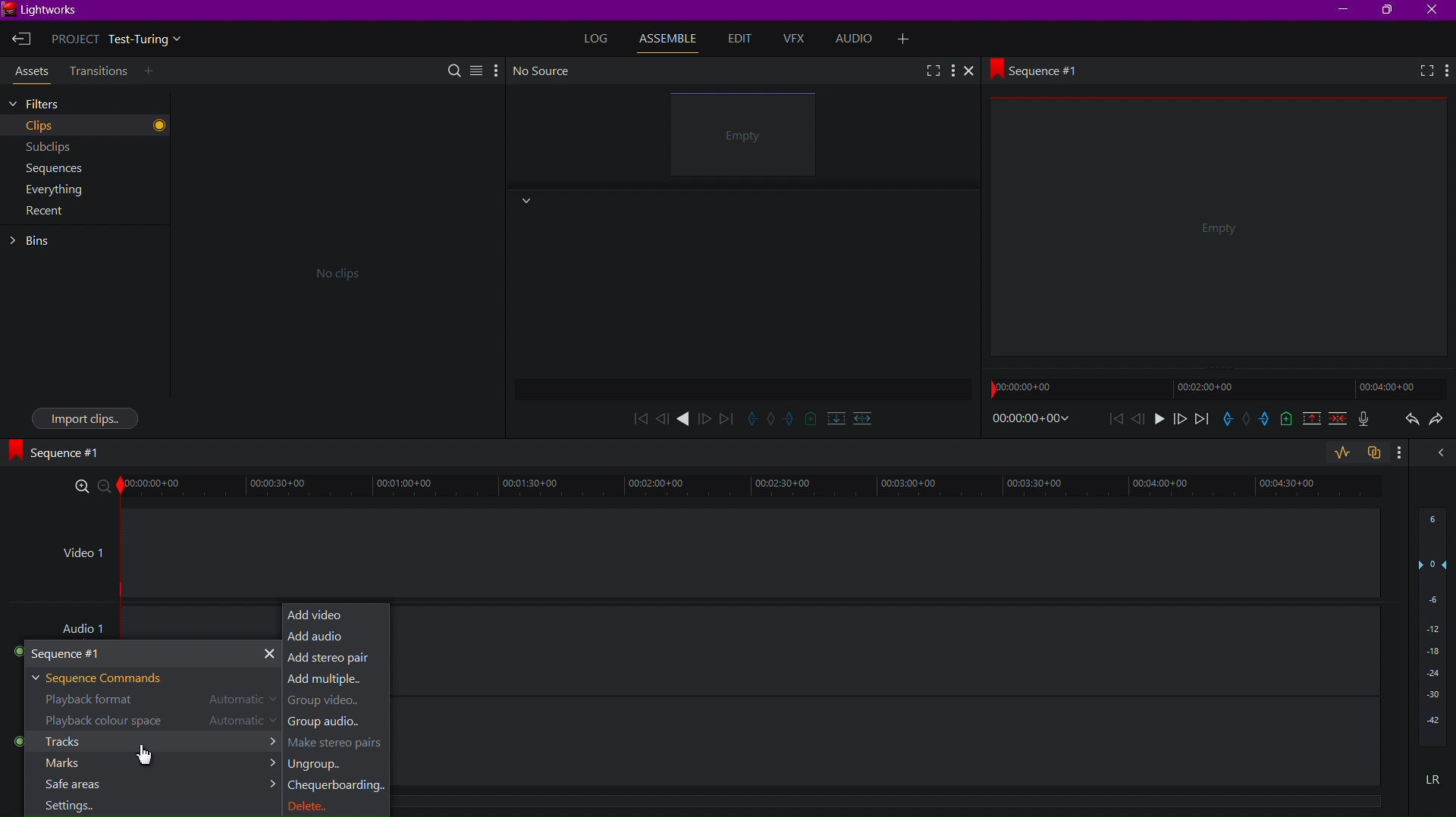  Describe the element at coordinates (336, 613) in the screenshot. I see `Add Video` at that location.